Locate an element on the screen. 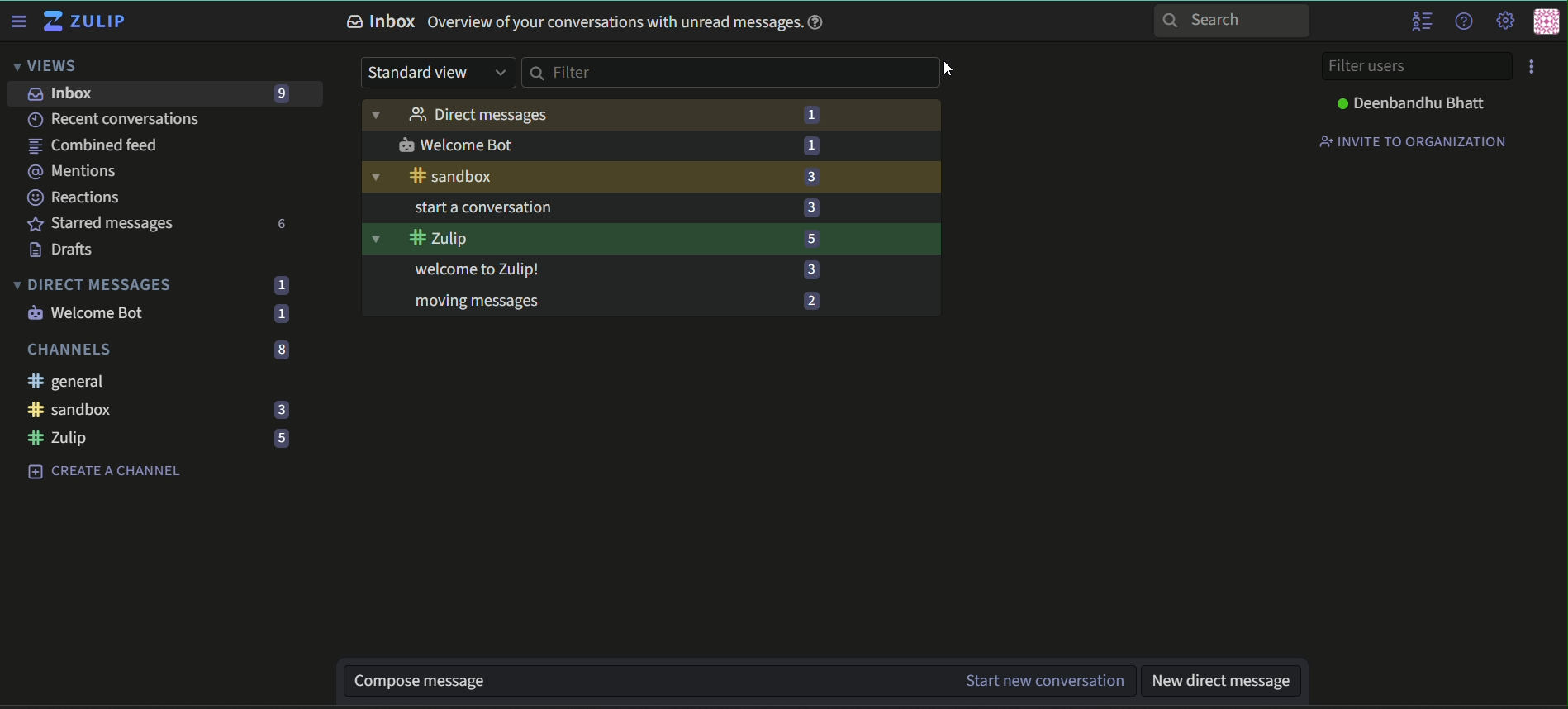 This screenshot has height=709, width=1568. Numbers is located at coordinates (277, 381).